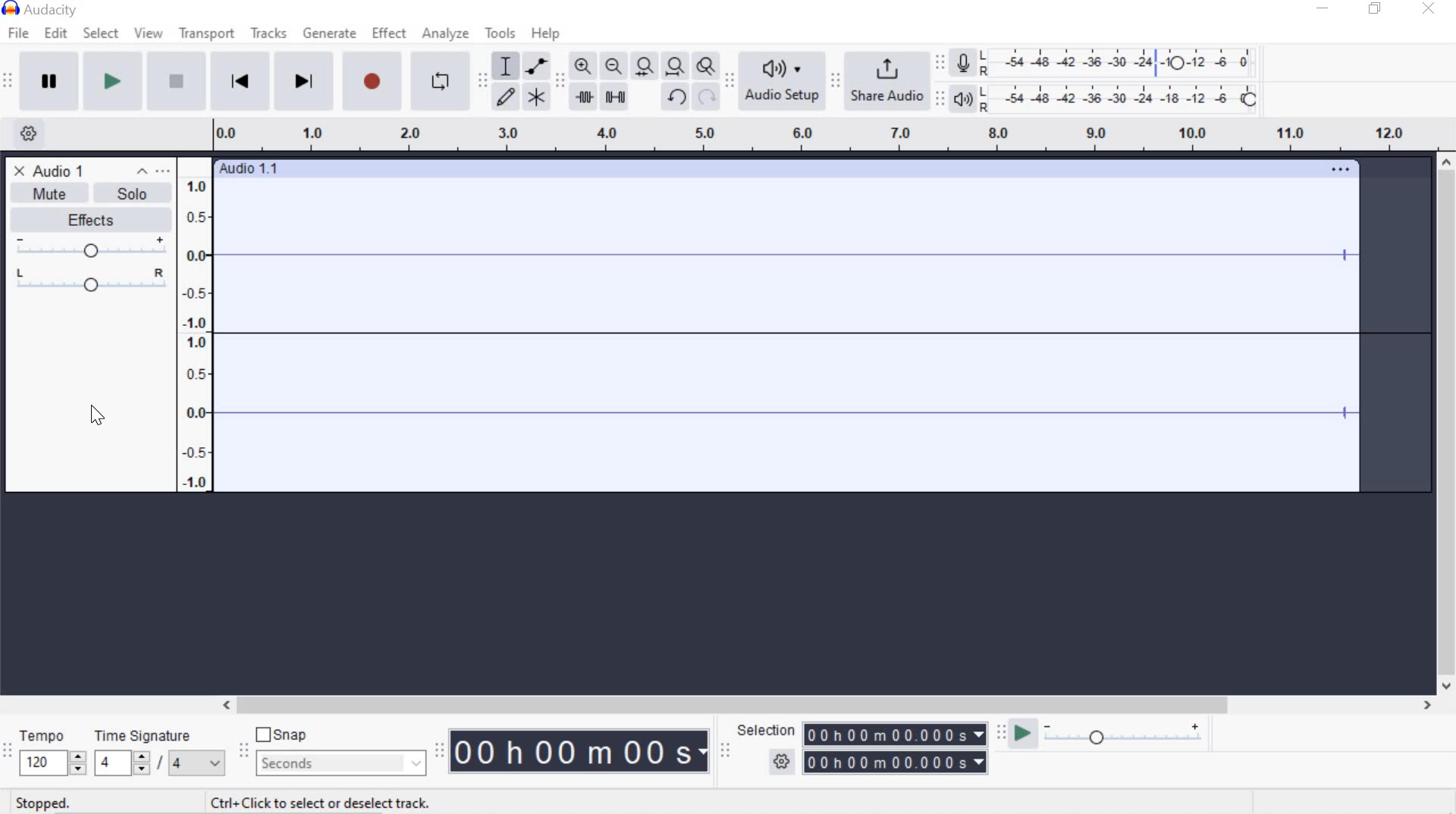 The width and height of the screenshot is (1456, 814). Describe the element at coordinates (787, 164) in the screenshot. I see `Audio 1.1` at that location.